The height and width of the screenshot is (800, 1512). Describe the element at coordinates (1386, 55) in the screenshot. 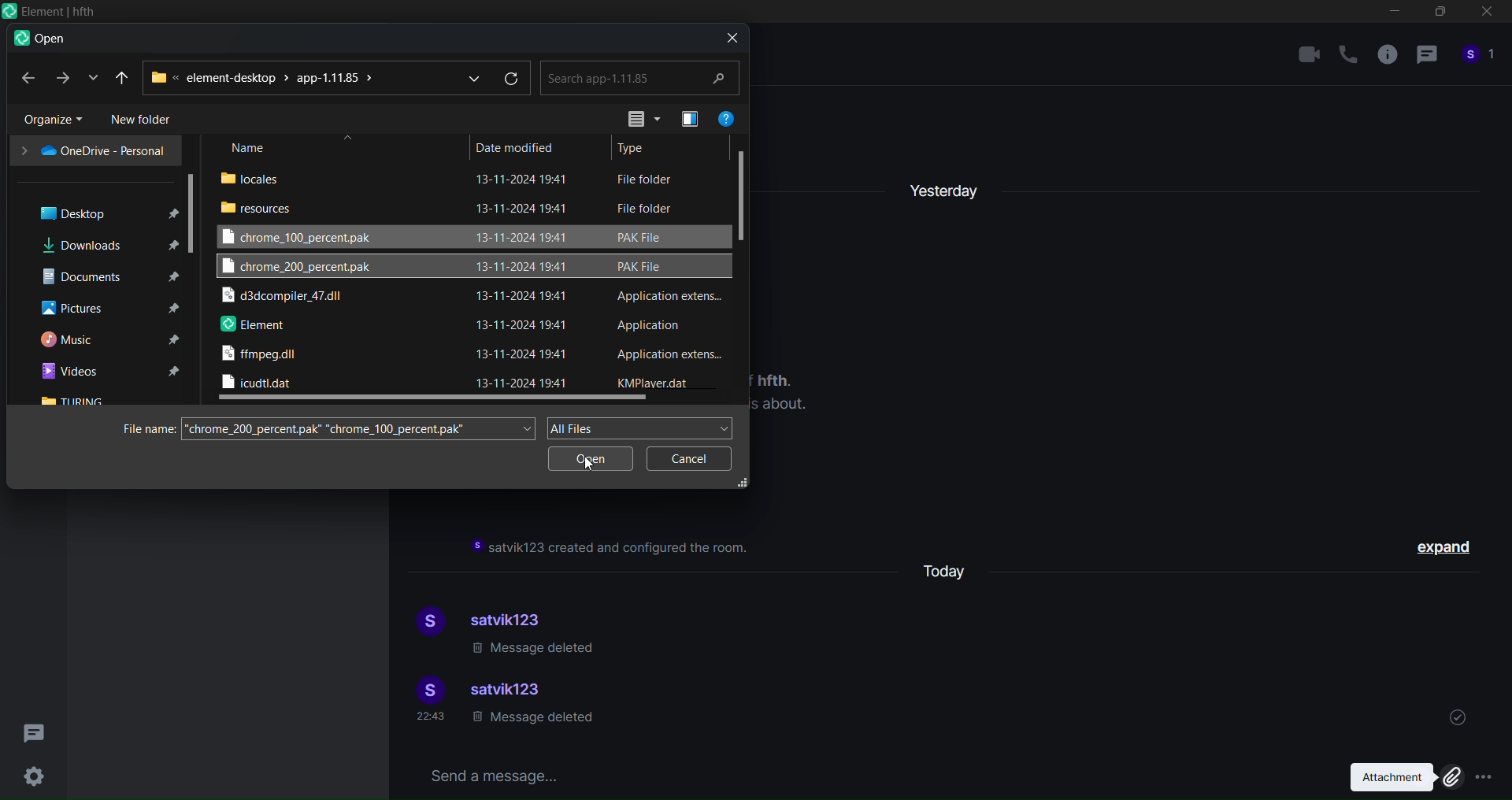

I see `room info` at that location.